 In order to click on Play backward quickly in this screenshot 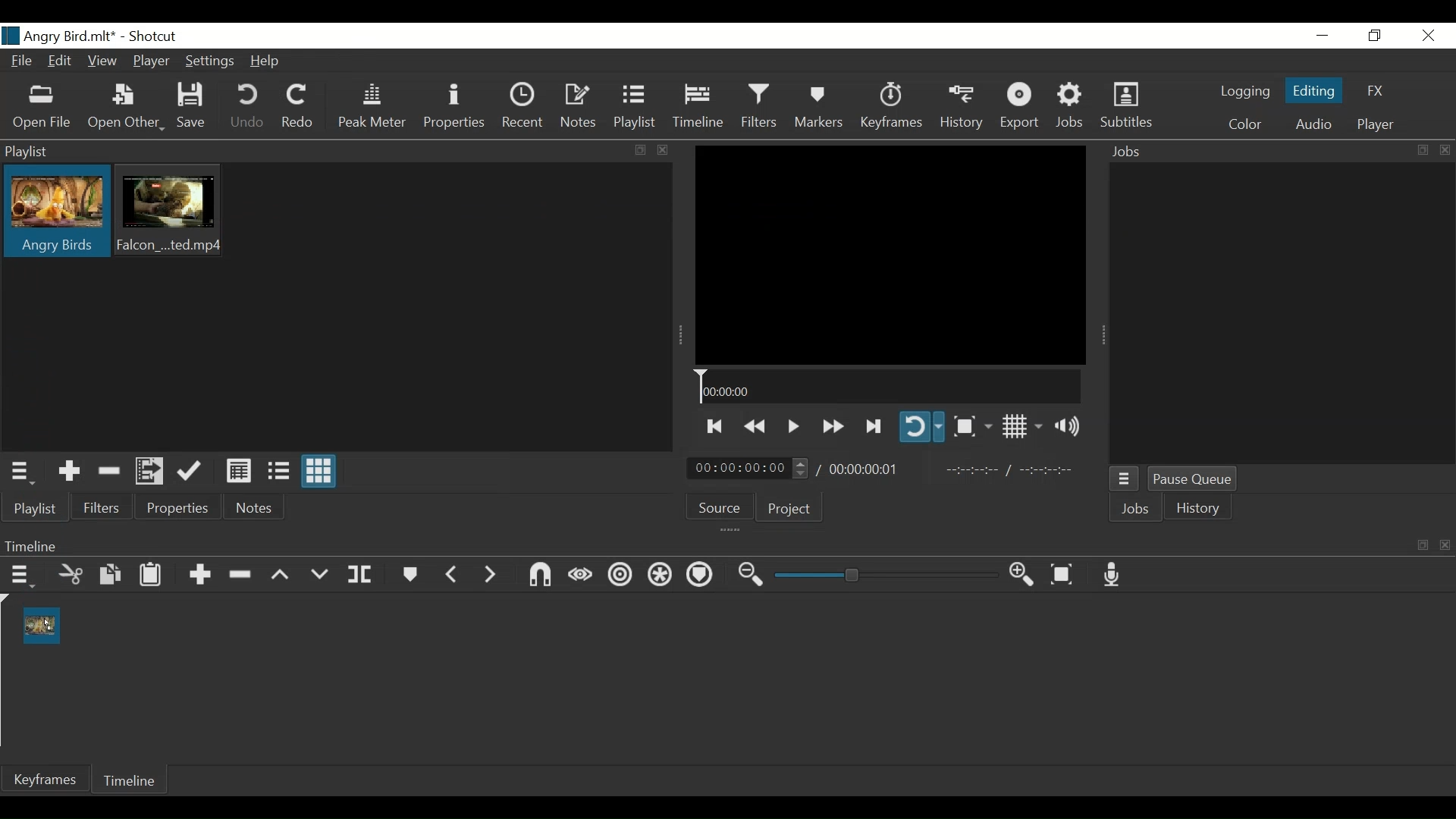, I will do `click(757, 424)`.